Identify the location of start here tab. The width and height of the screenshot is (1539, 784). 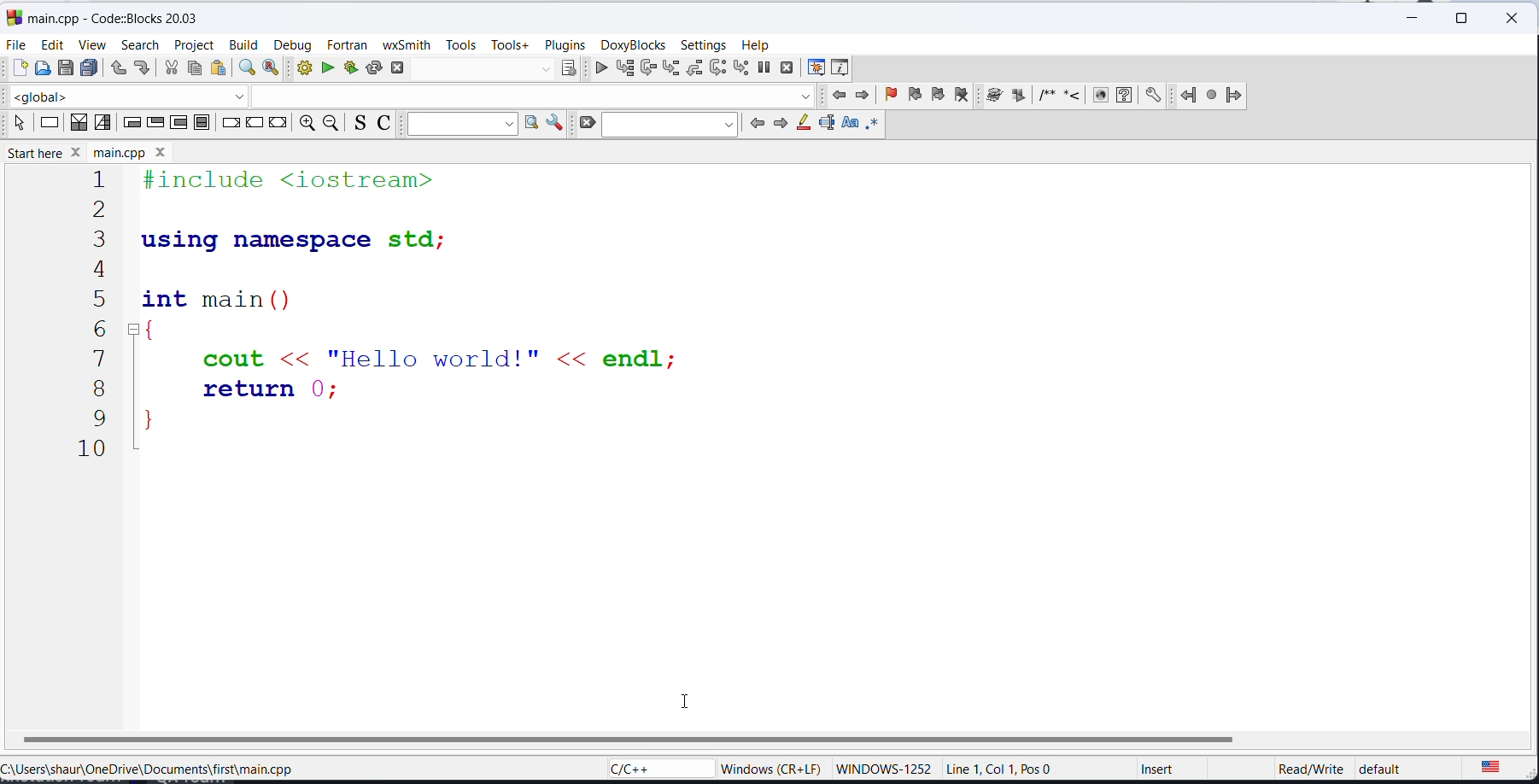
(112, 17).